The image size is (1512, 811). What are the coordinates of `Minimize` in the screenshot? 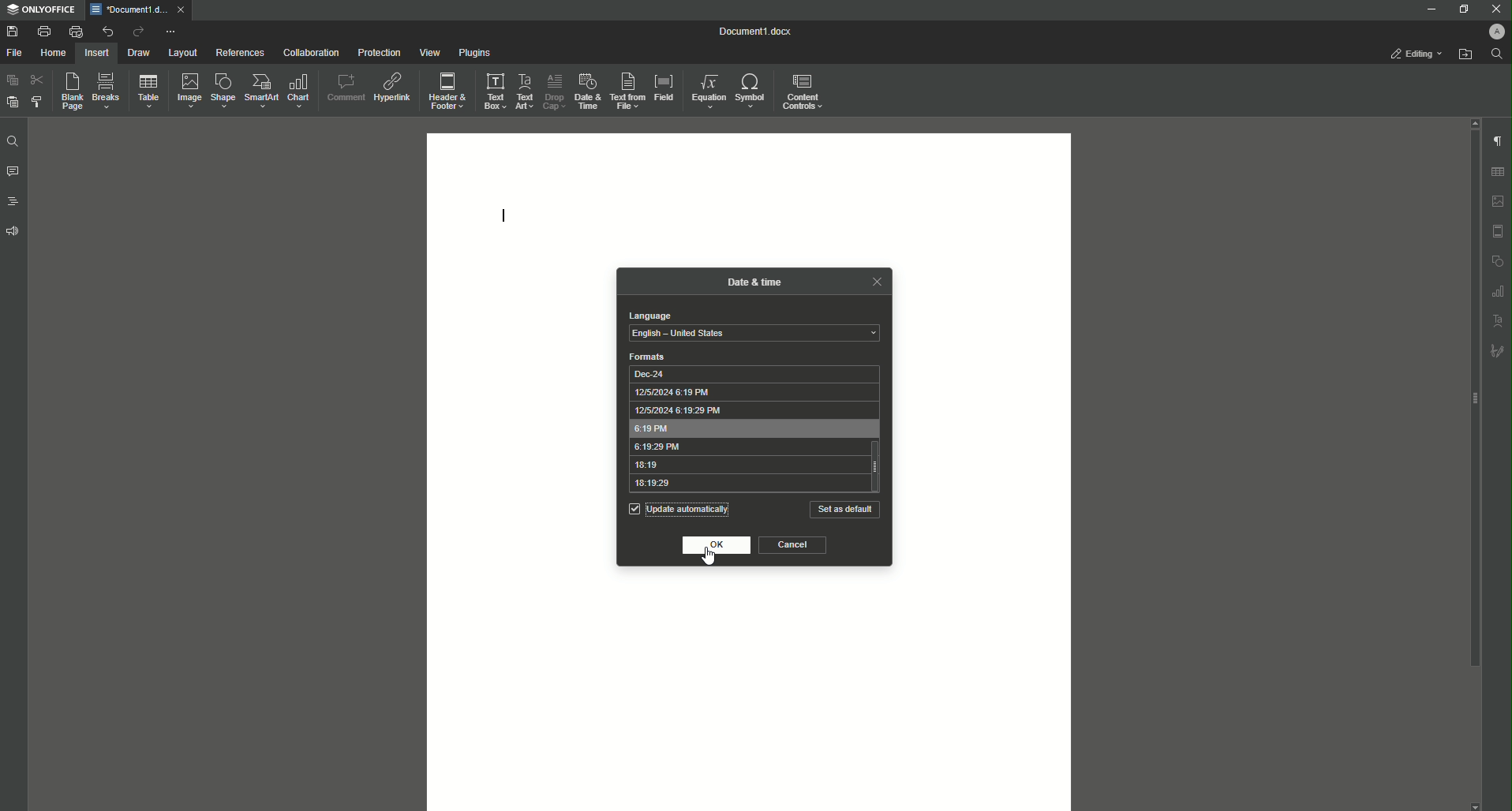 It's located at (1429, 9).